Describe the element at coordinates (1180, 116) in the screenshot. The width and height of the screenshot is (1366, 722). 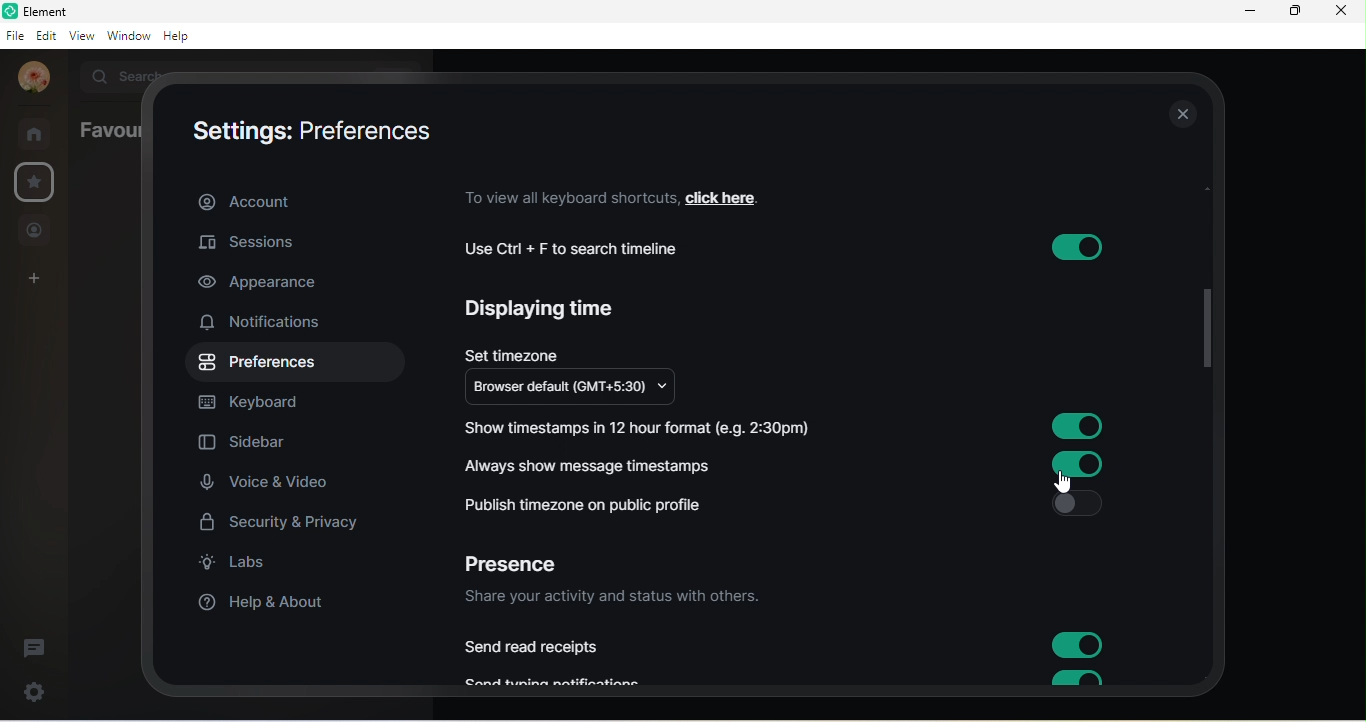
I see `close` at that location.